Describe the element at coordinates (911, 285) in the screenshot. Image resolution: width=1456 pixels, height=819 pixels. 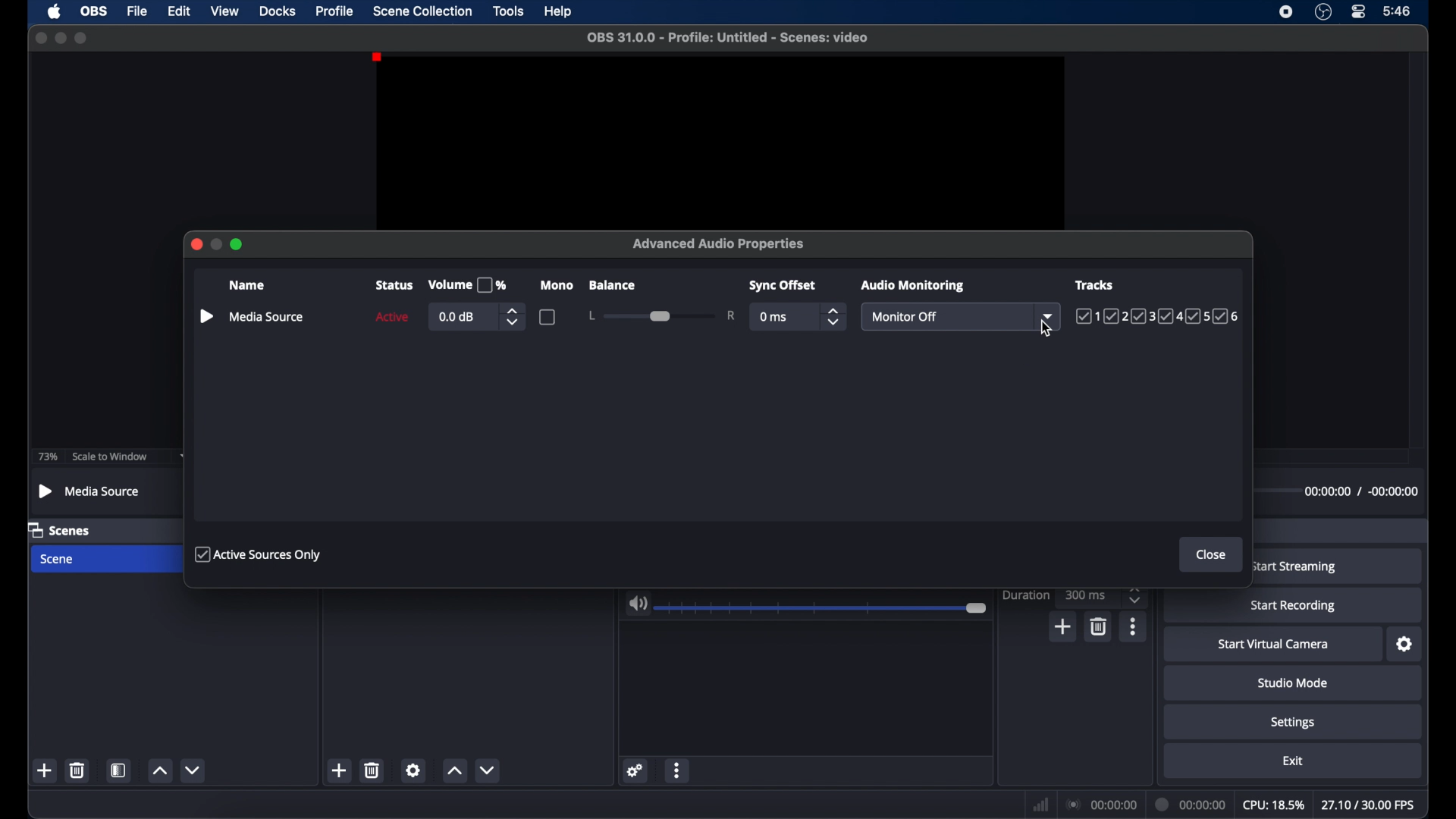
I see `audio monitoring` at that location.